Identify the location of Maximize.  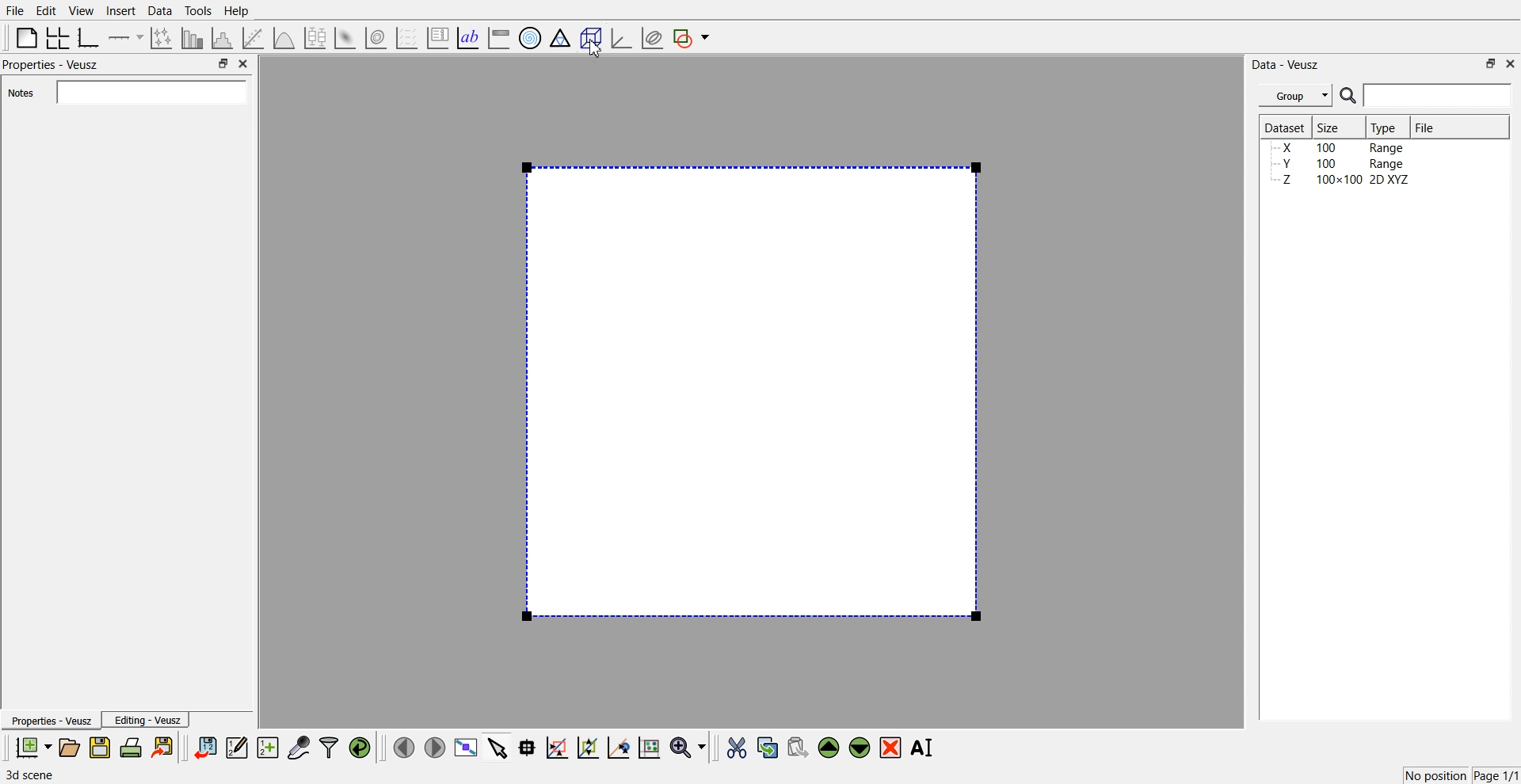
(1491, 63).